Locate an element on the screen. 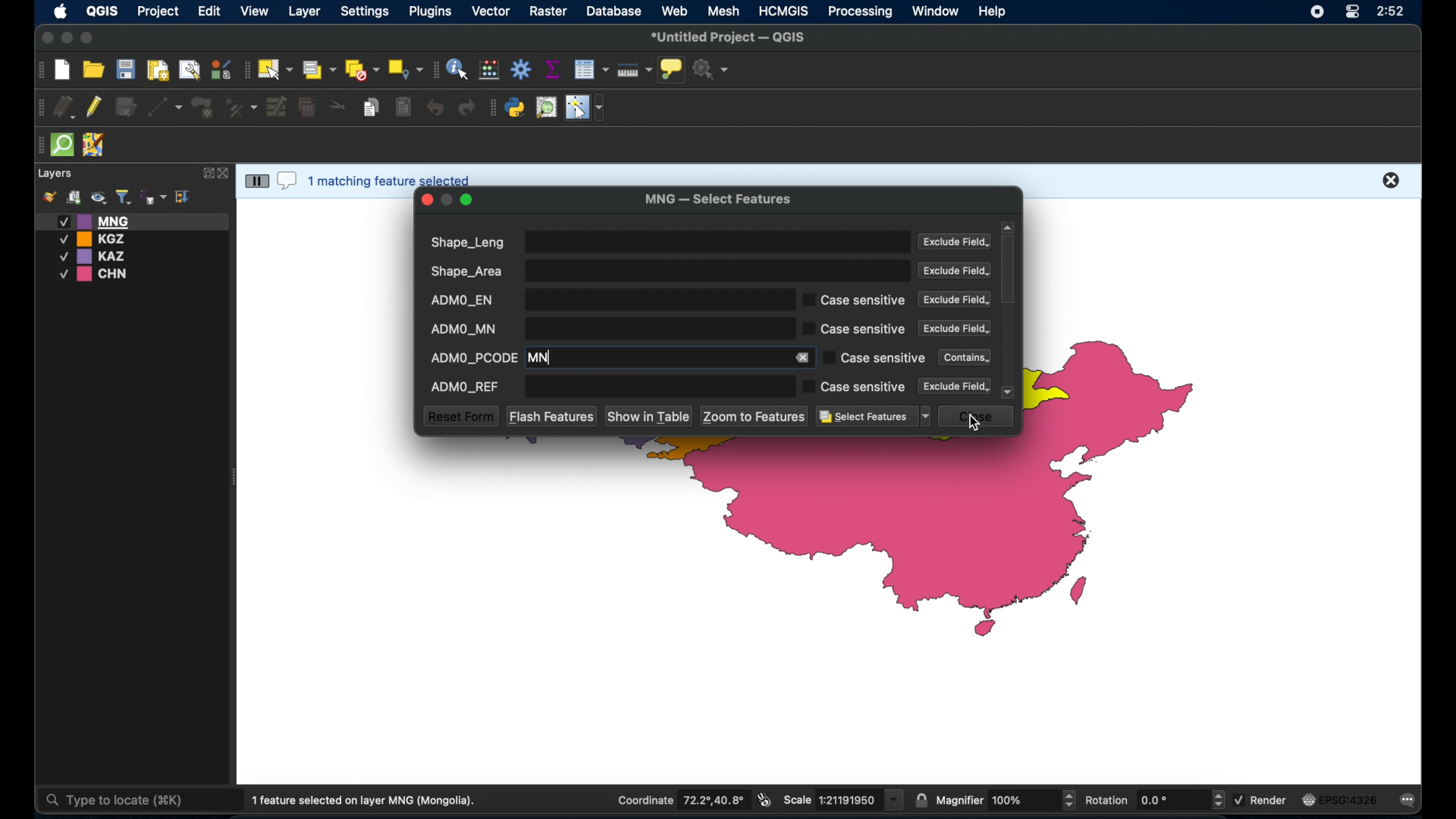 Image resolution: width=1456 pixels, height=819 pixels. web is located at coordinates (675, 11).